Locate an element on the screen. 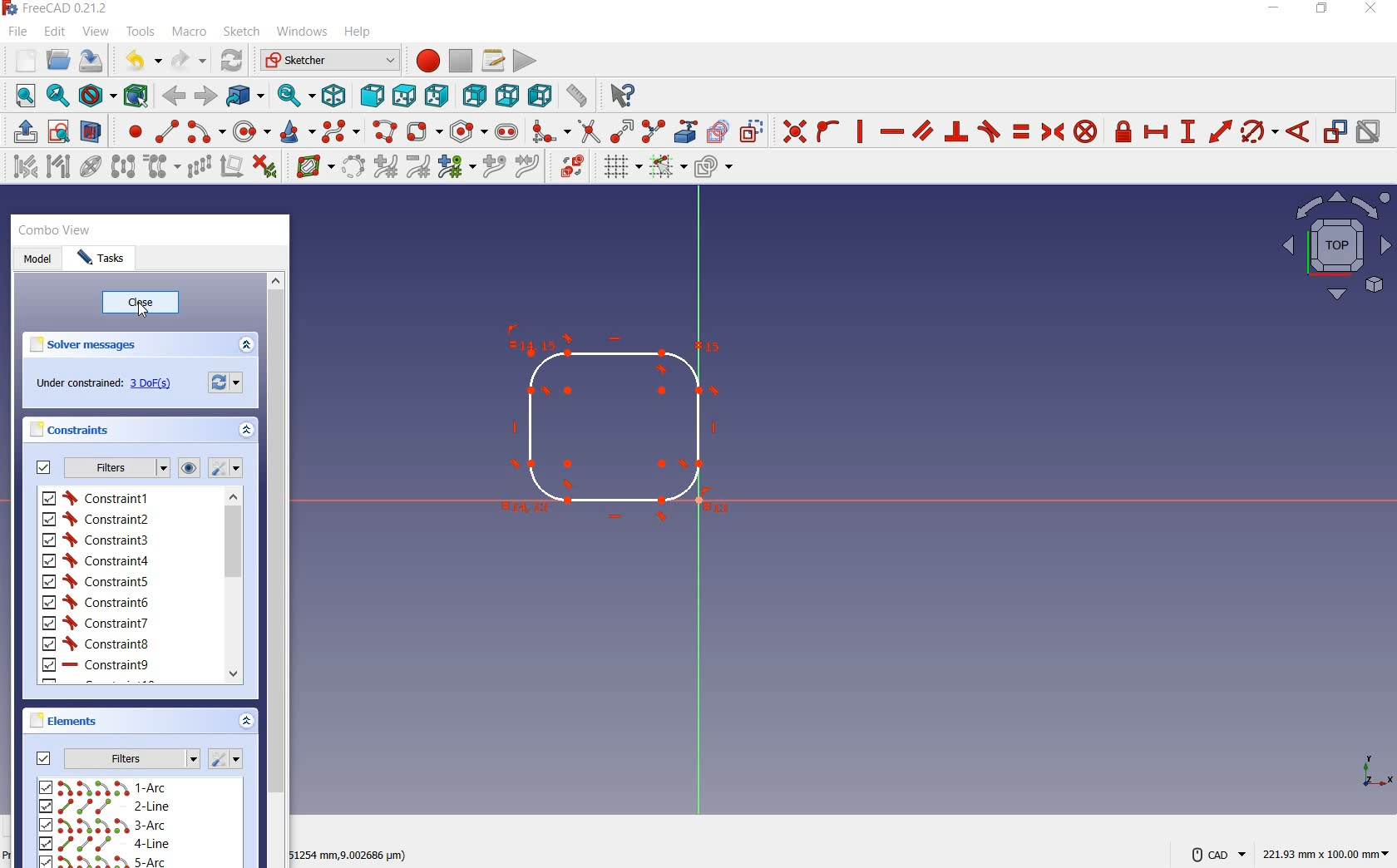 This screenshot has height=868, width=1397. top is located at coordinates (405, 95).